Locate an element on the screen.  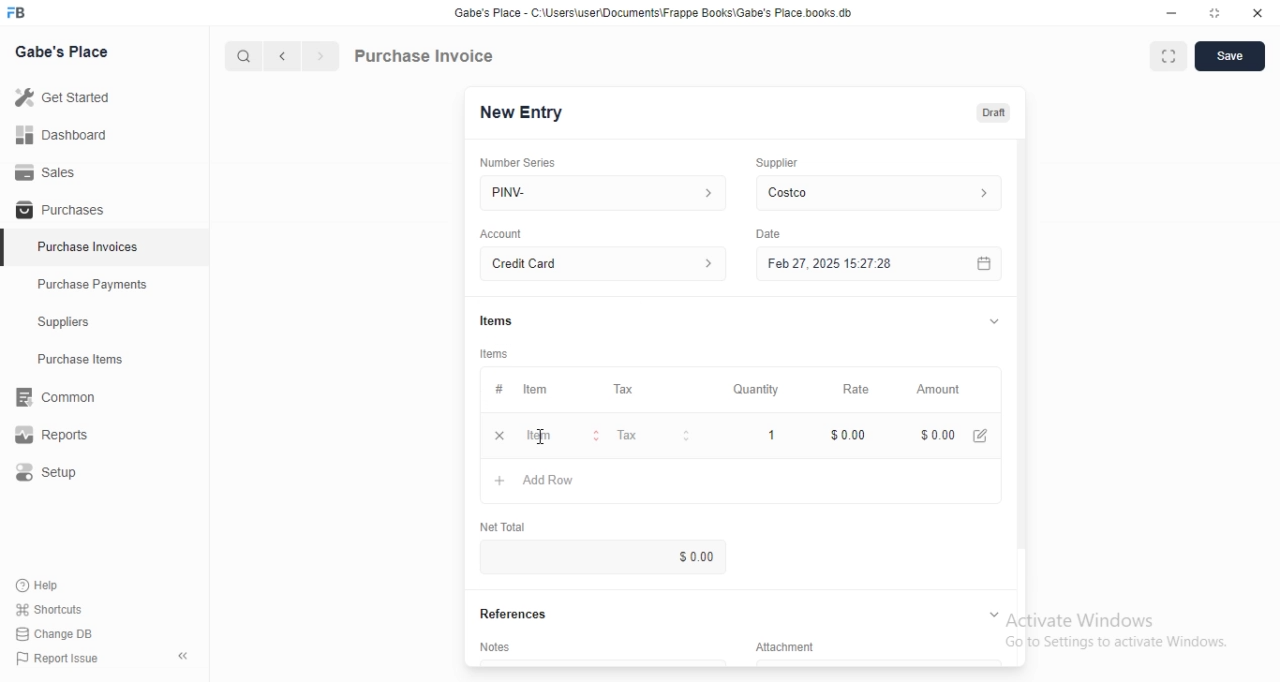
Save is located at coordinates (1230, 56).